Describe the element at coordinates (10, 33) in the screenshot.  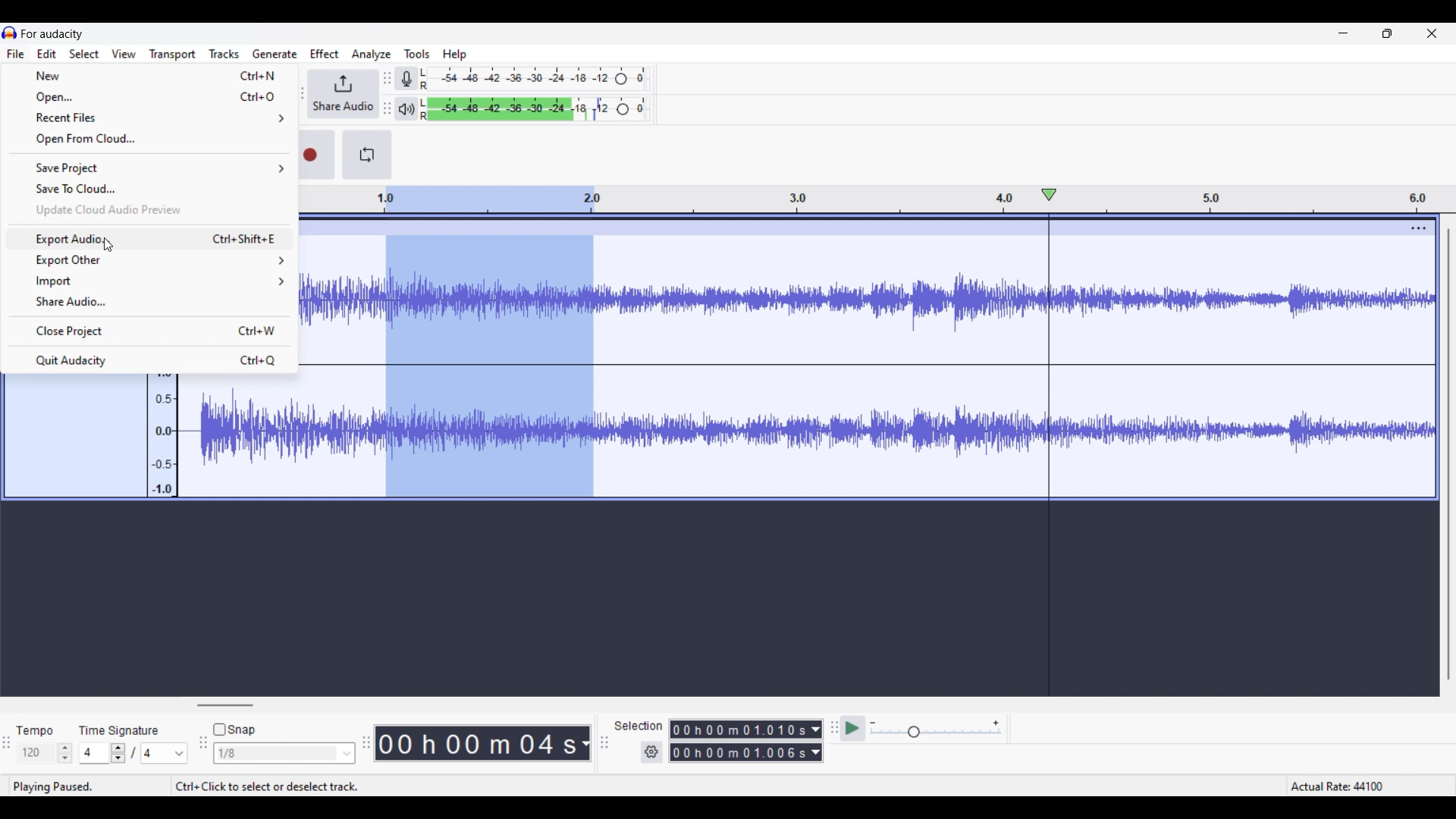
I see `Software logo` at that location.